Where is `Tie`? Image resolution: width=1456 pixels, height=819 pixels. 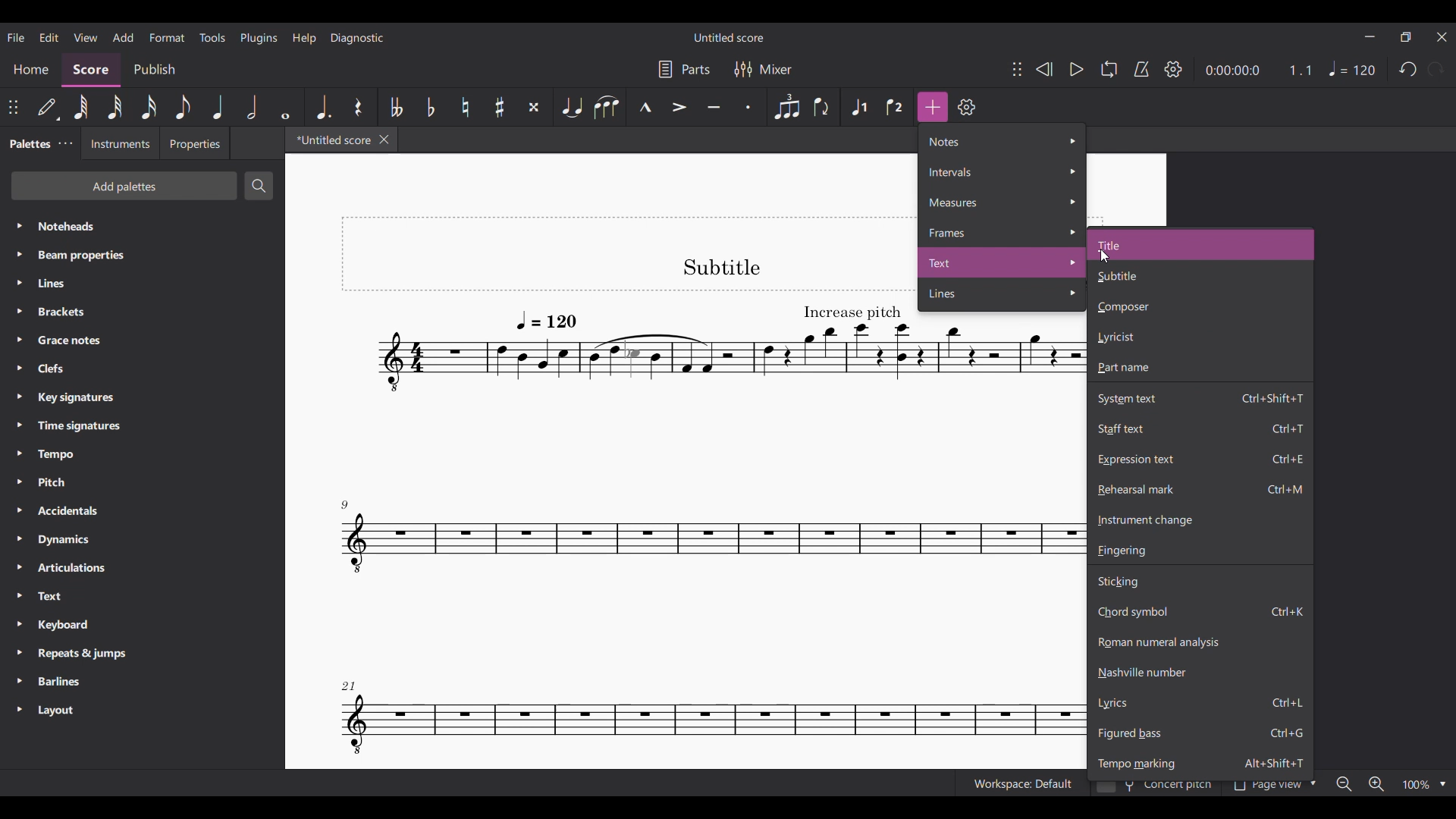
Tie is located at coordinates (570, 107).